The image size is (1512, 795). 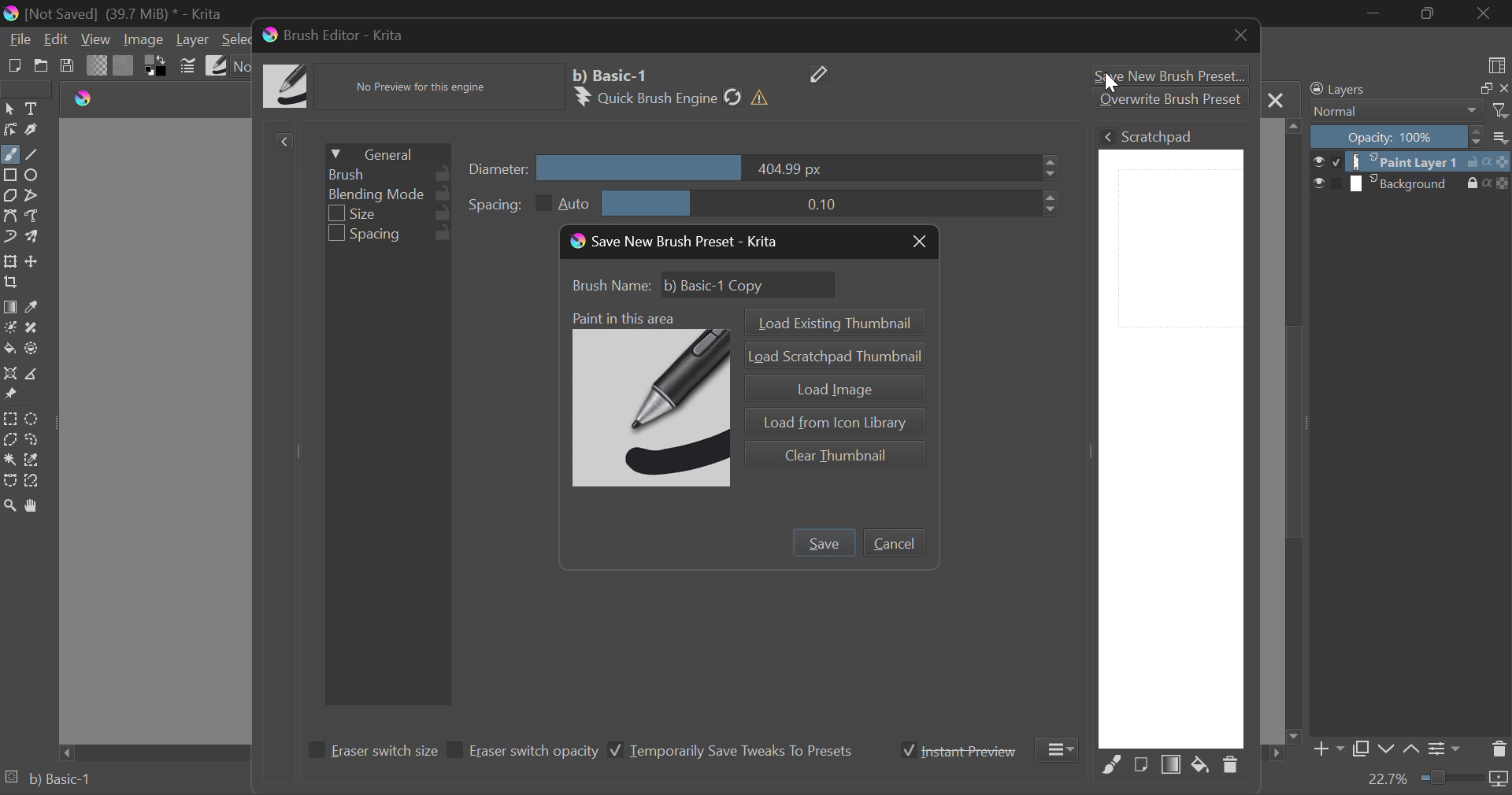 I want to click on Select, so click(x=9, y=109).